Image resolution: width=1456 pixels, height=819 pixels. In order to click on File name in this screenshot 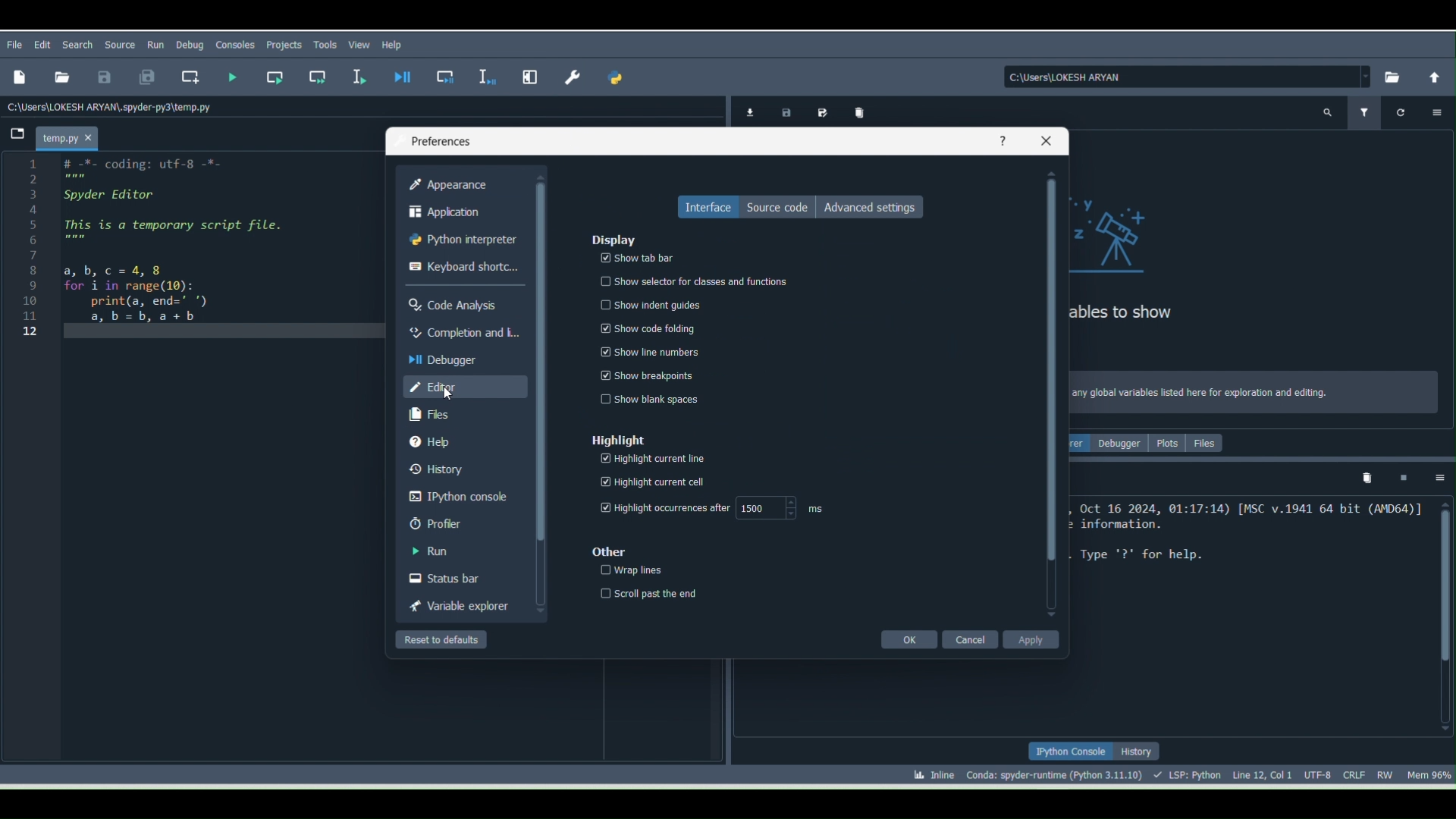, I will do `click(71, 136)`.